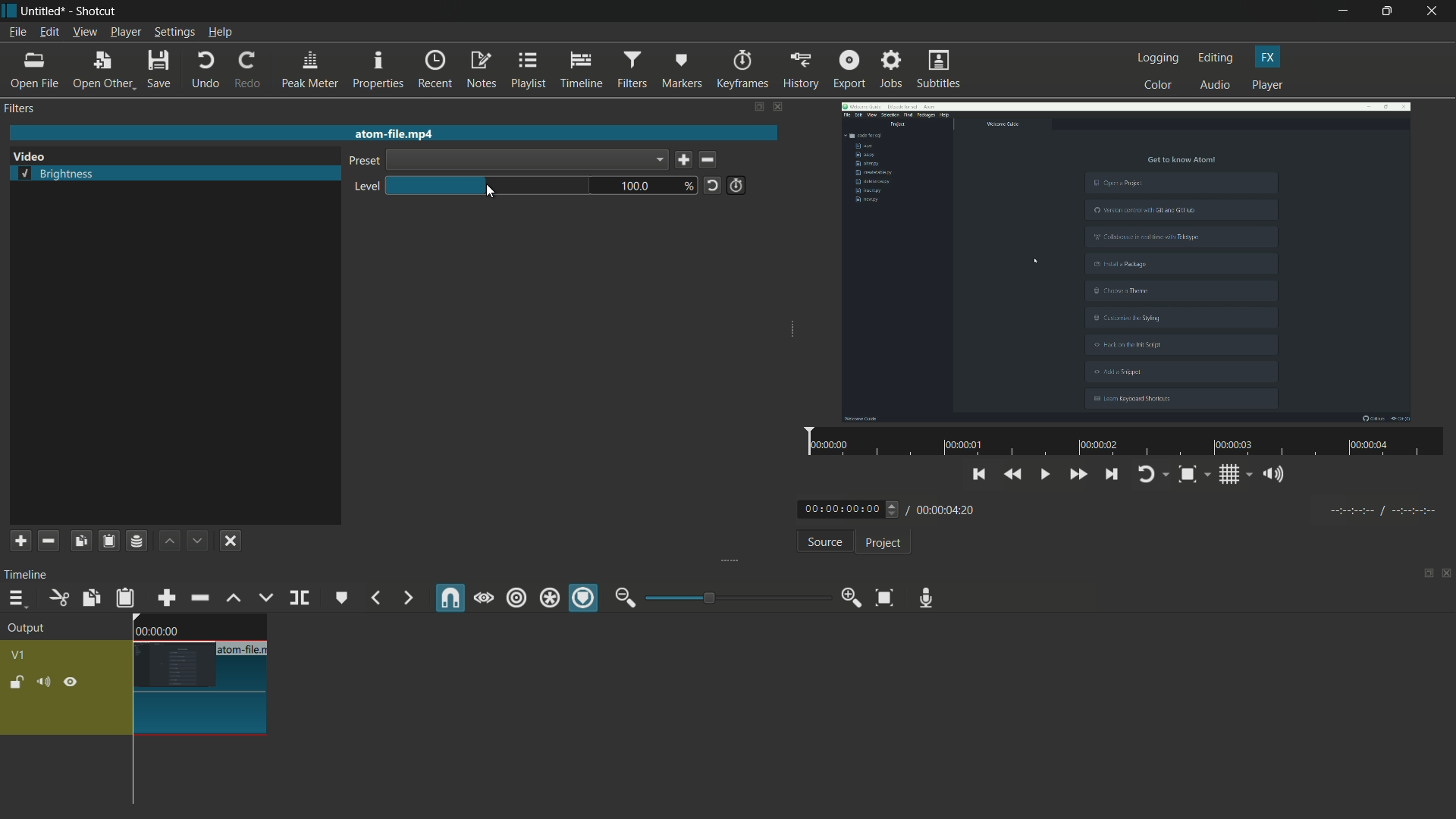  Describe the element at coordinates (548, 600) in the screenshot. I see `ripple all tracks` at that location.